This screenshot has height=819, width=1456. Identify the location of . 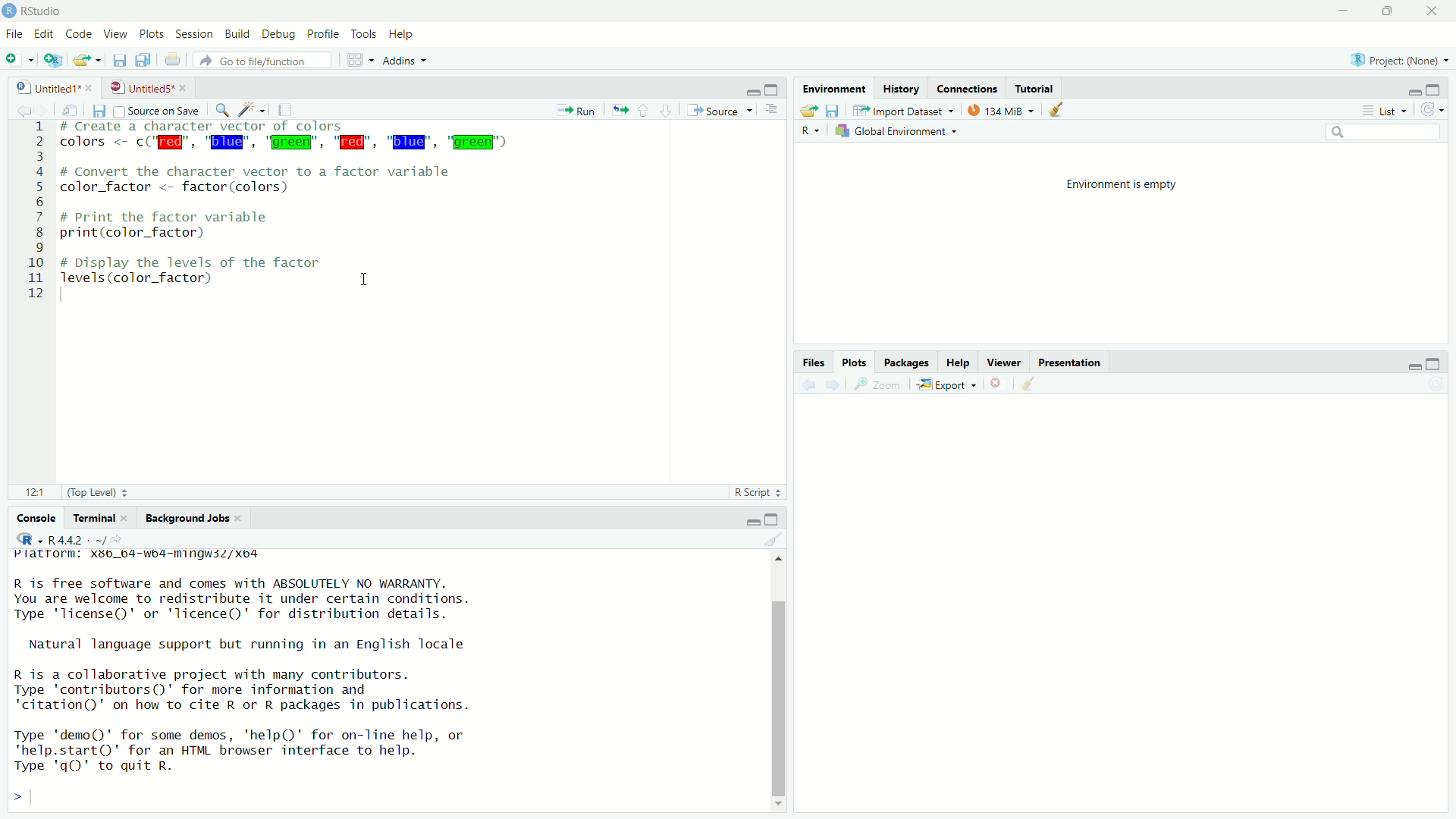
(31, 217).